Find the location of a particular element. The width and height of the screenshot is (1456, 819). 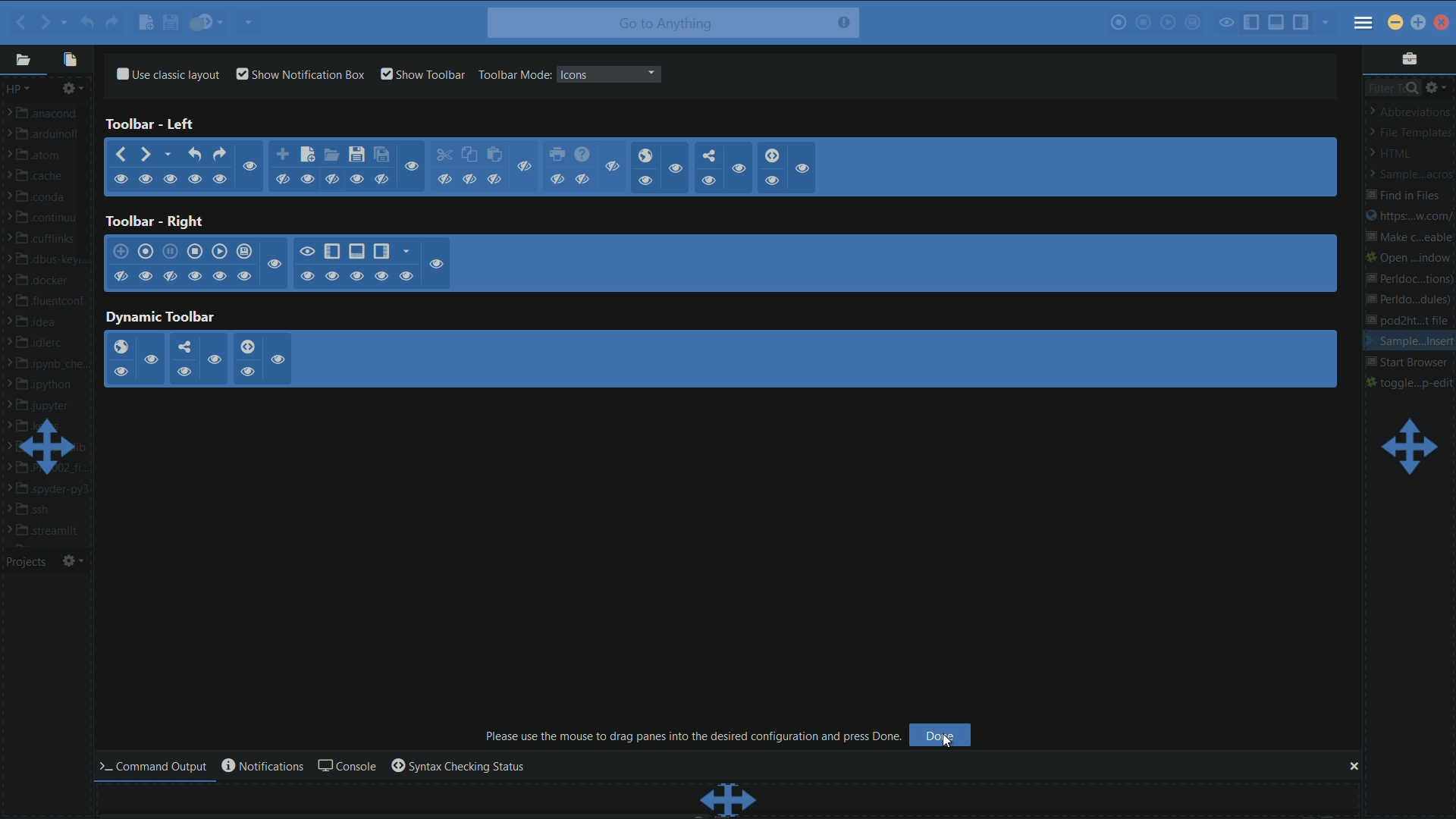

hide/show is located at coordinates (169, 276).